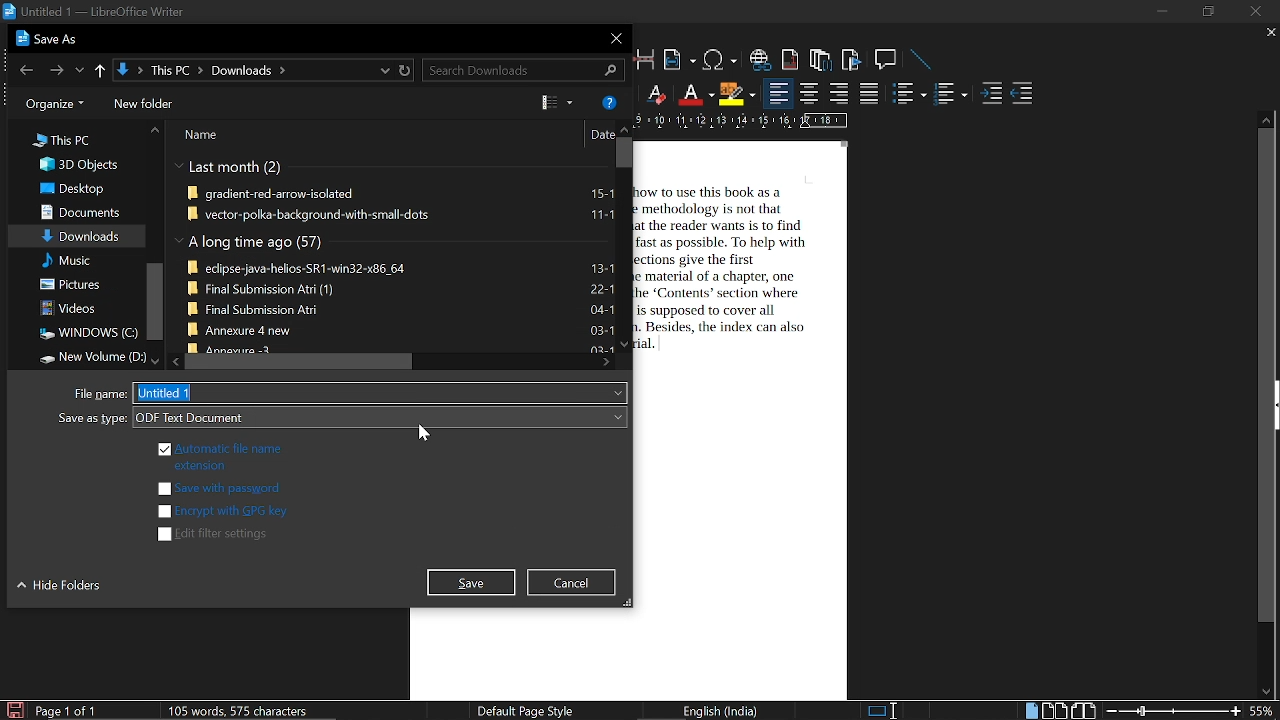 This screenshot has height=720, width=1280. Describe the element at coordinates (216, 535) in the screenshot. I see `edit filter settings` at that location.